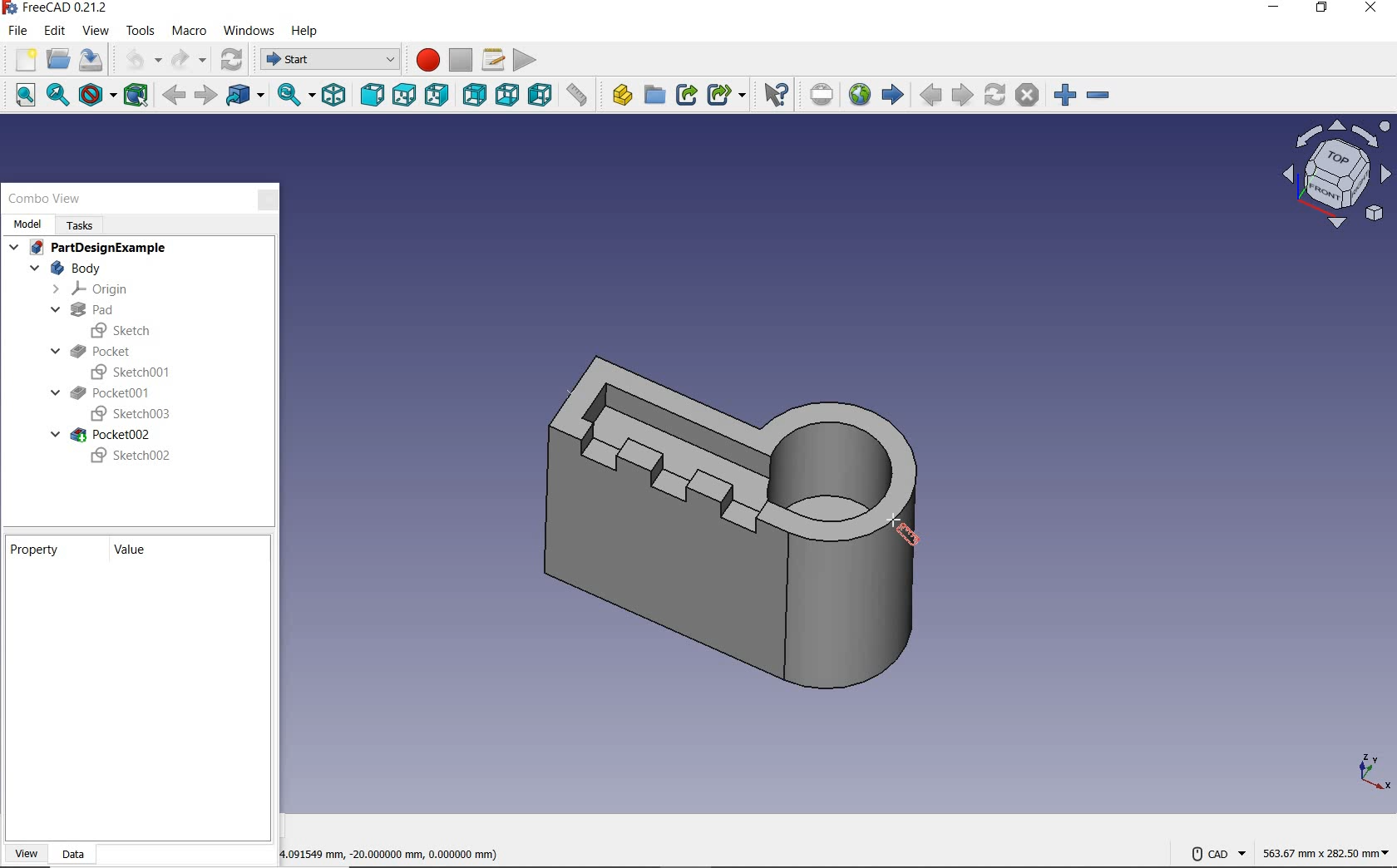 The image size is (1397, 868). I want to click on SKETCH002, so click(131, 456).